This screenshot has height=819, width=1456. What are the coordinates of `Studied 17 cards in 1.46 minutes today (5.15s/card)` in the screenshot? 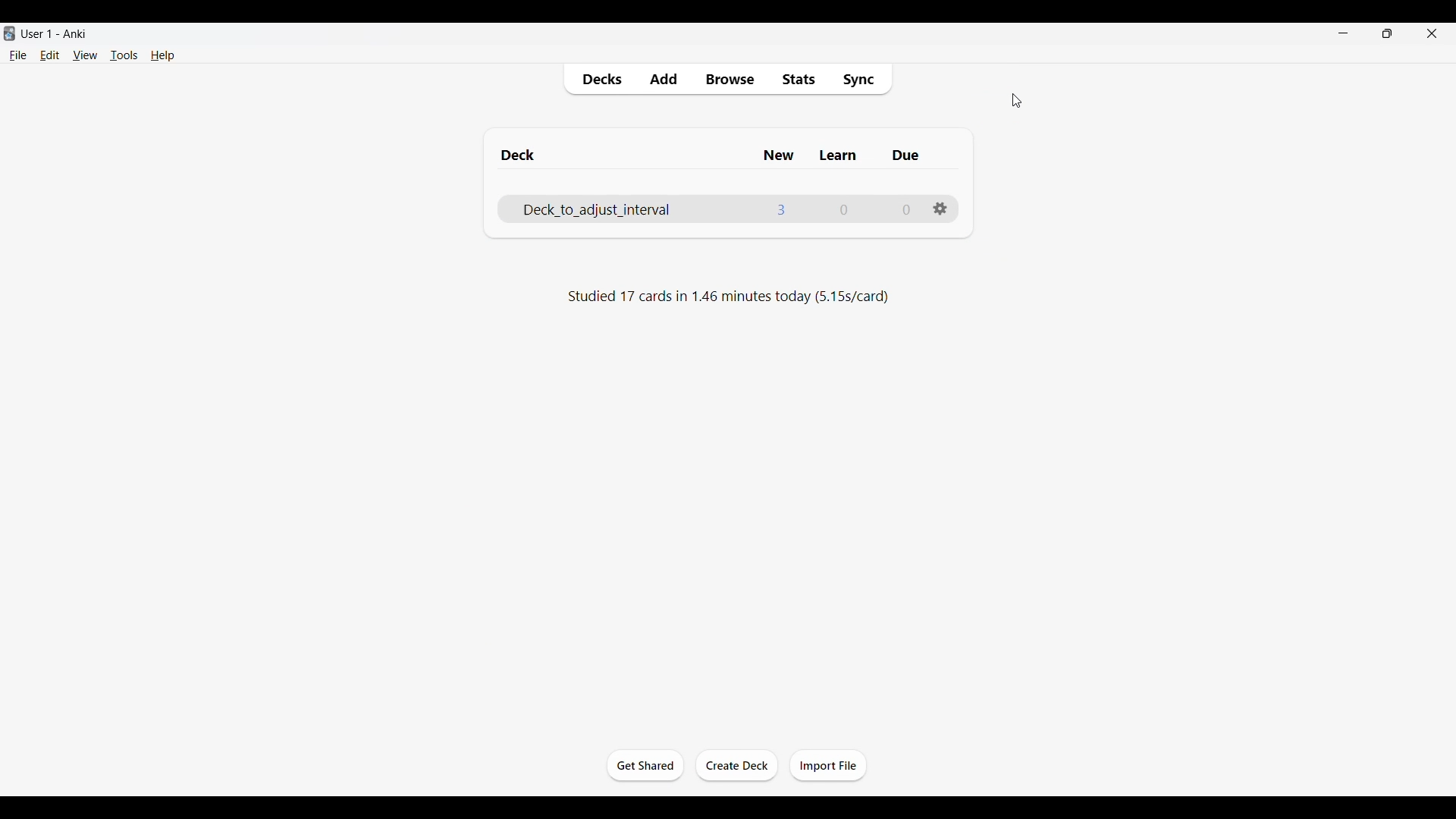 It's located at (732, 296).